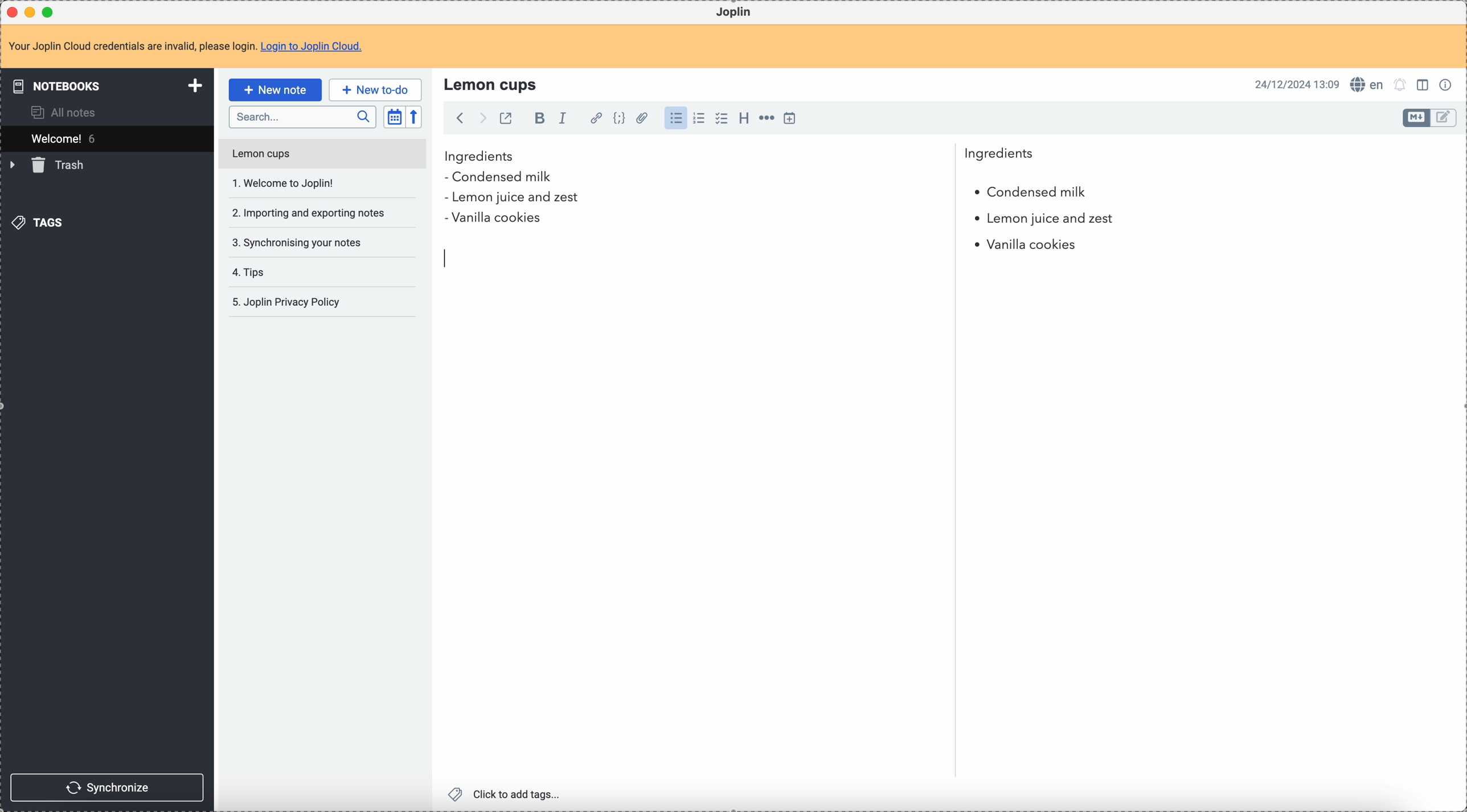  Describe the element at coordinates (1297, 84) in the screenshot. I see `date and hour` at that location.